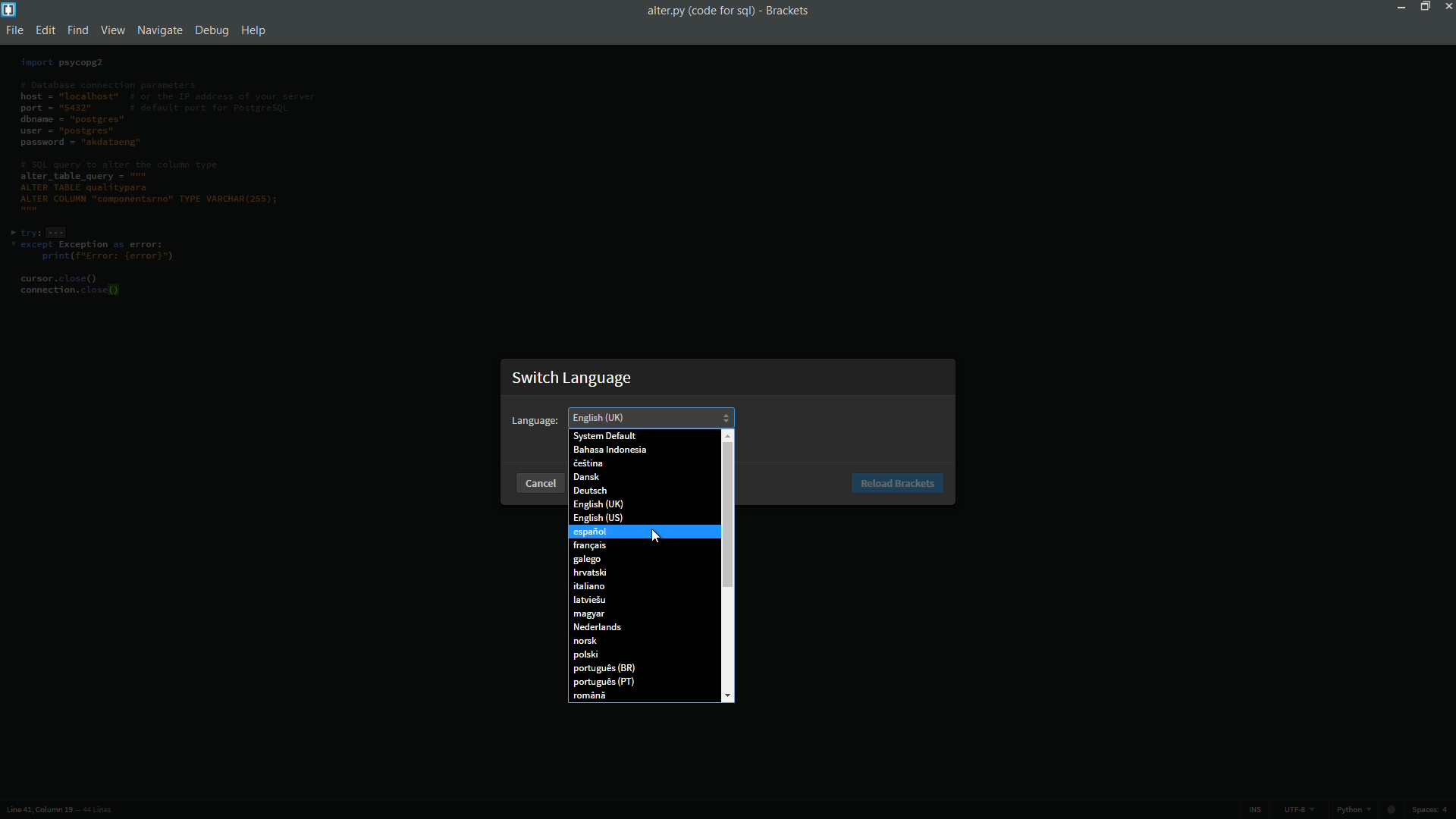 The height and width of the screenshot is (819, 1456). What do you see at coordinates (1423, 8) in the screenshot?
I see `maximize` at bounding box center [1423, 8].